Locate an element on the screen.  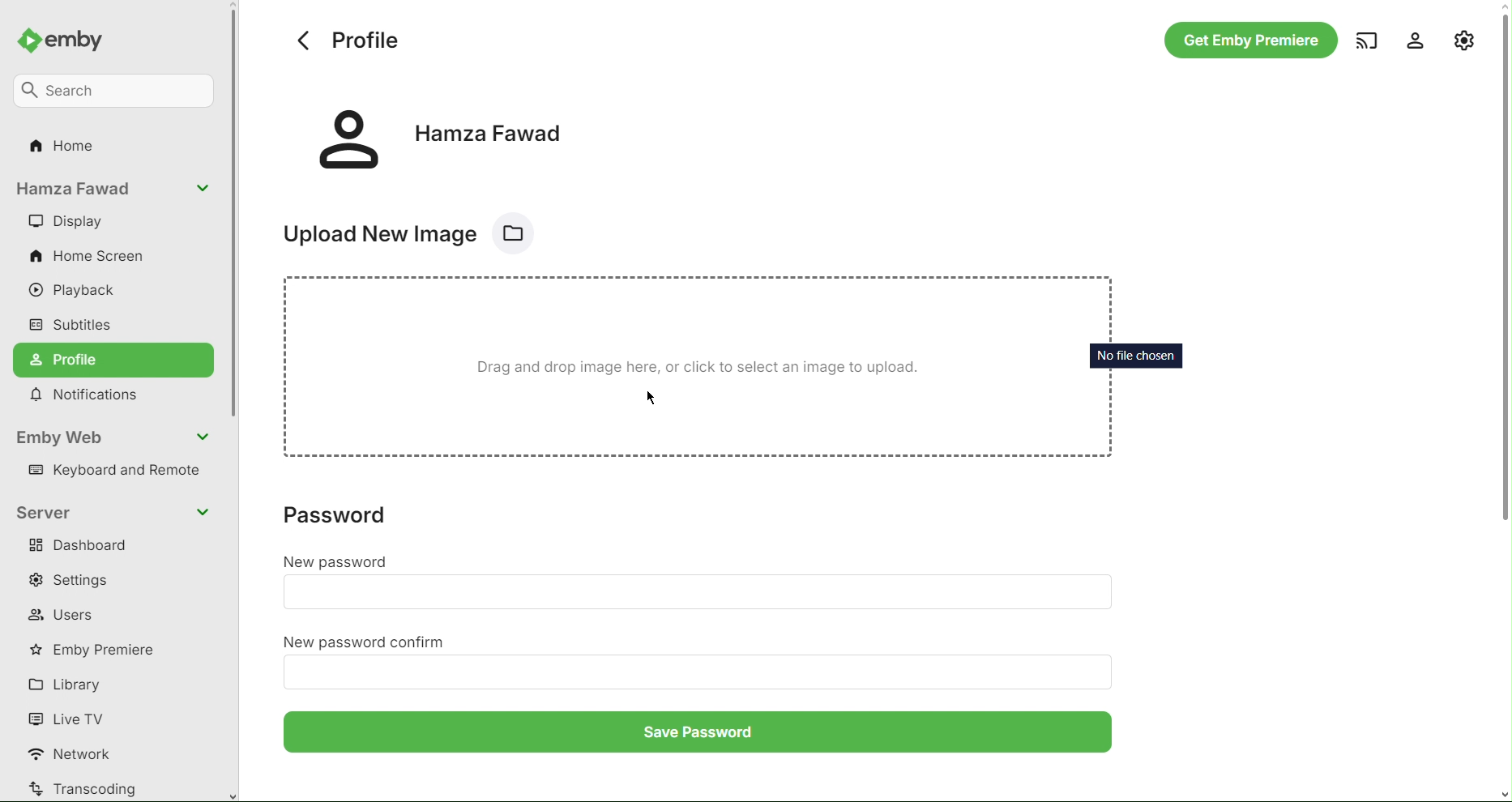
Profile is located at coordinates (346, 40).